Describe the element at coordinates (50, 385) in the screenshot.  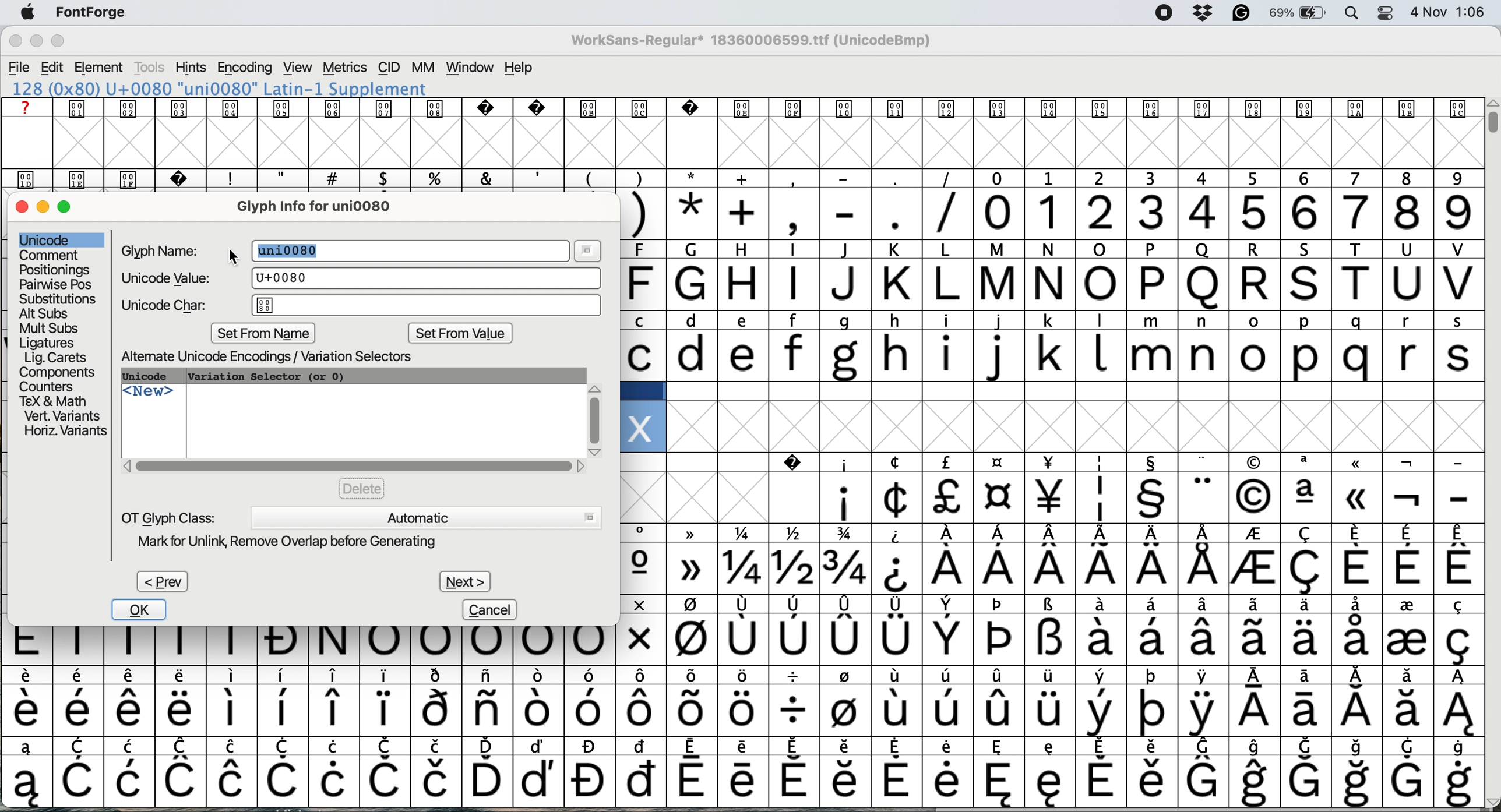
I see `counters` at that location.